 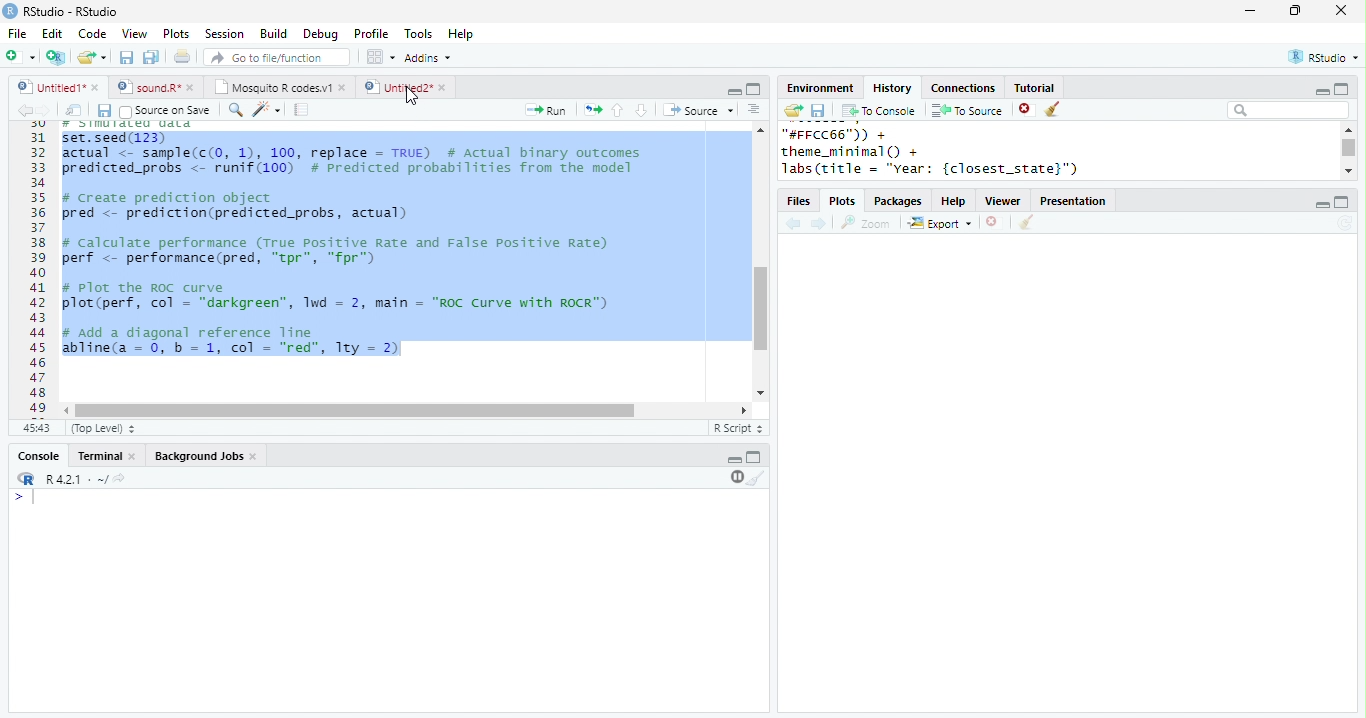 I want to click on open file, so click(x=92, y=57).